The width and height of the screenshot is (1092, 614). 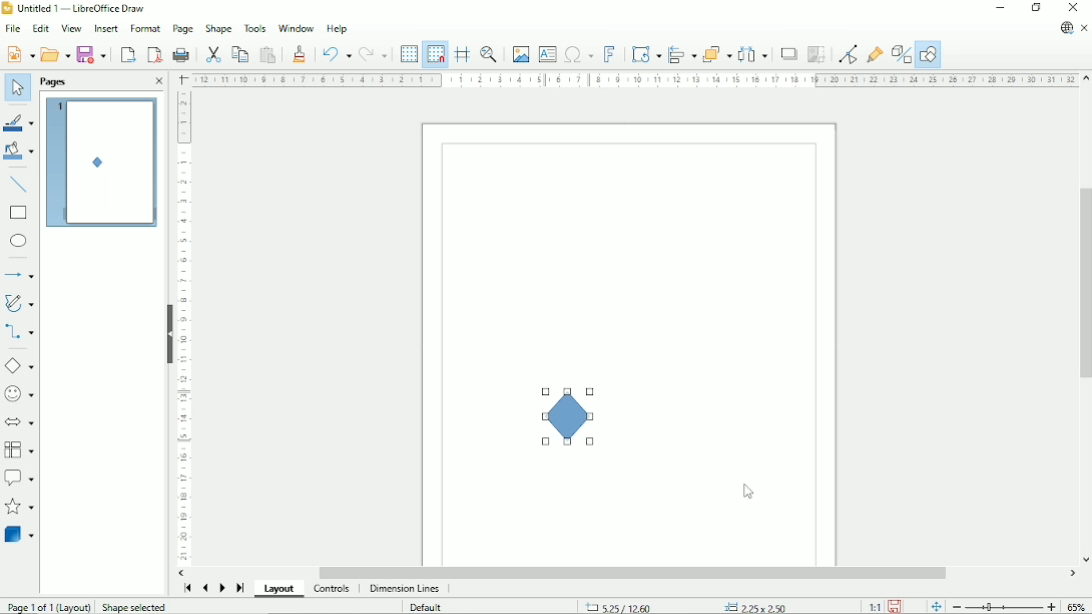 I want to click on Horizontal scroll button, so click(x=1073, y=575).